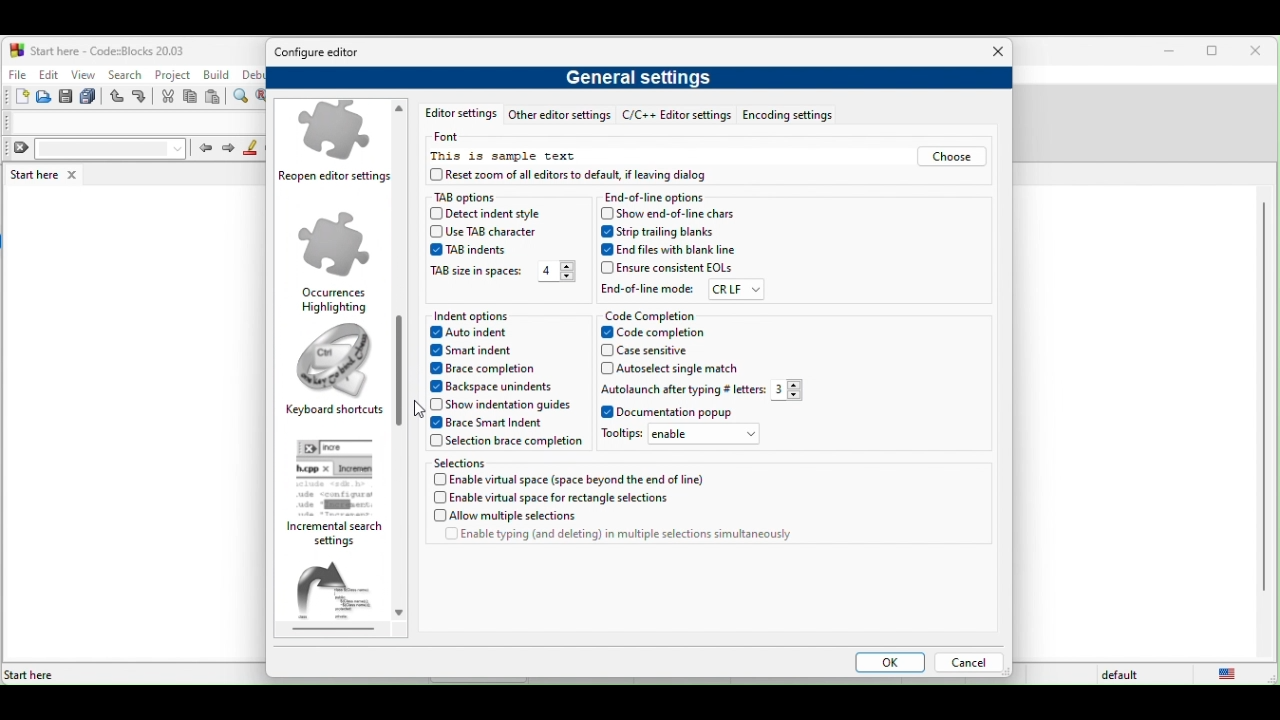 The height and width of the screenshot is (720, 1280). Describe the element at coordinates (30, 675) in the screenshot. I see `Start here` at that location.